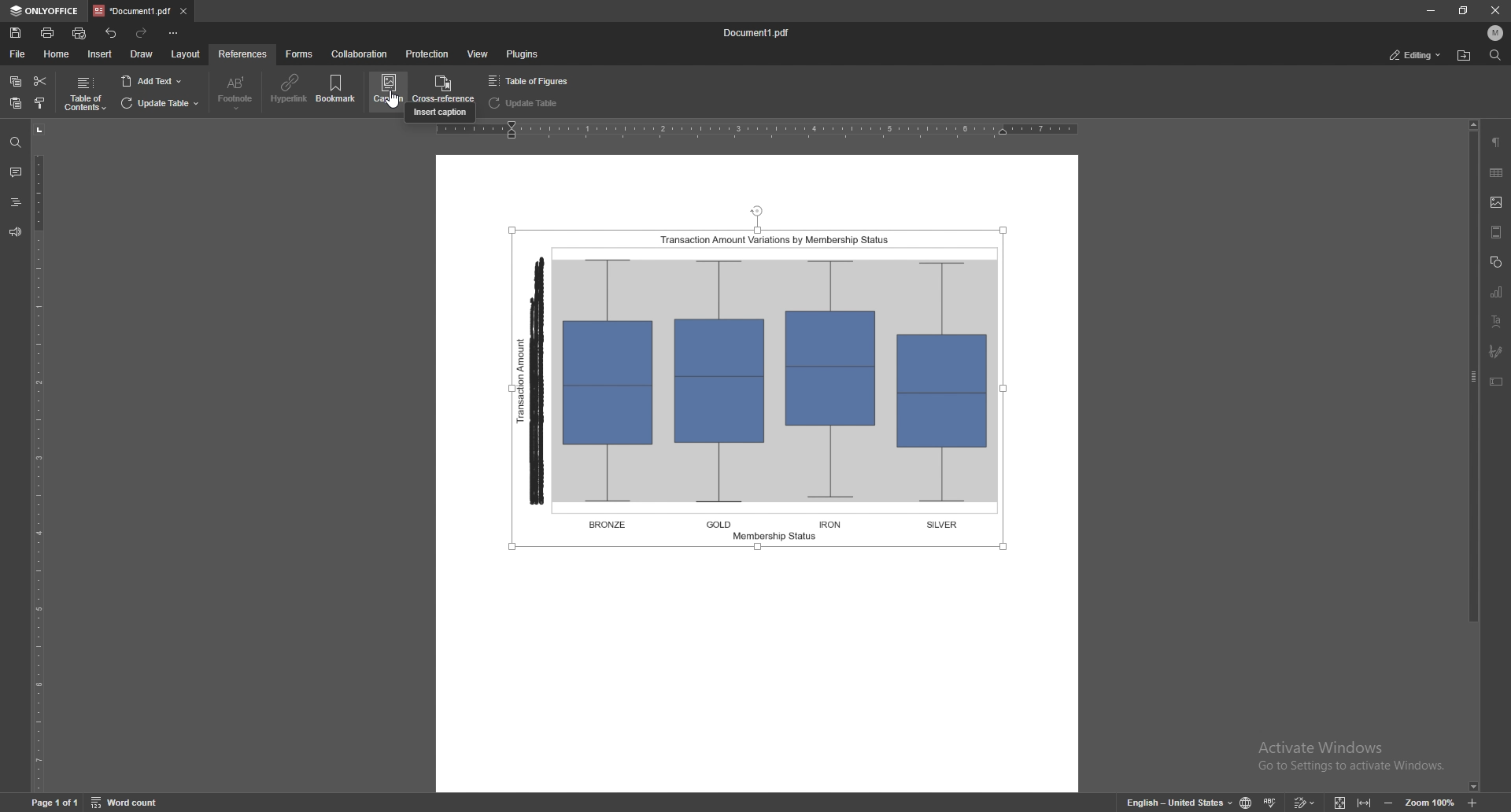  What do you see at coordinates (1305, 802) in the screenshot?
I see `track changes` at bounding box center [1305, 802].